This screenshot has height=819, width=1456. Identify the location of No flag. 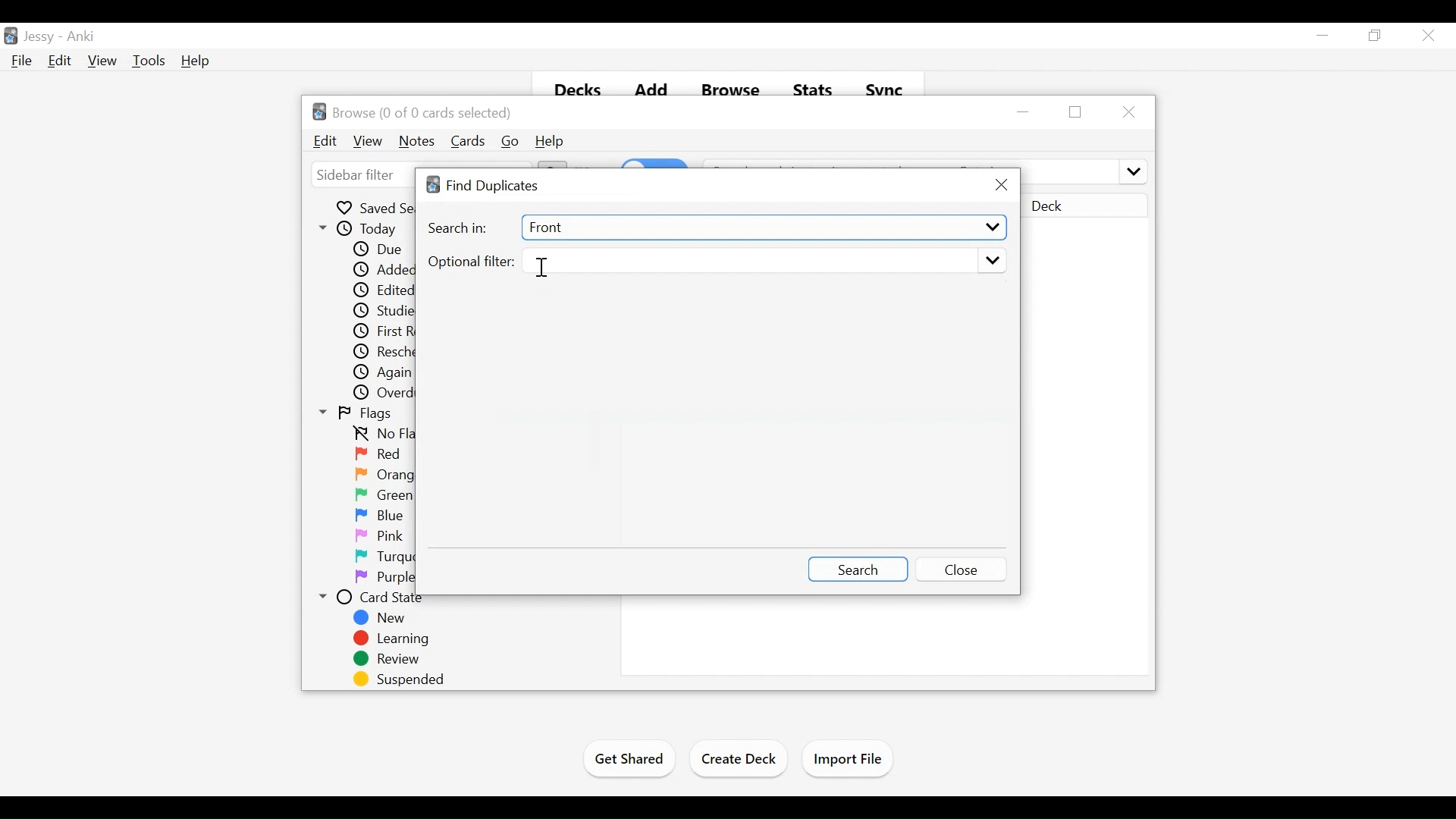
(384, 435).